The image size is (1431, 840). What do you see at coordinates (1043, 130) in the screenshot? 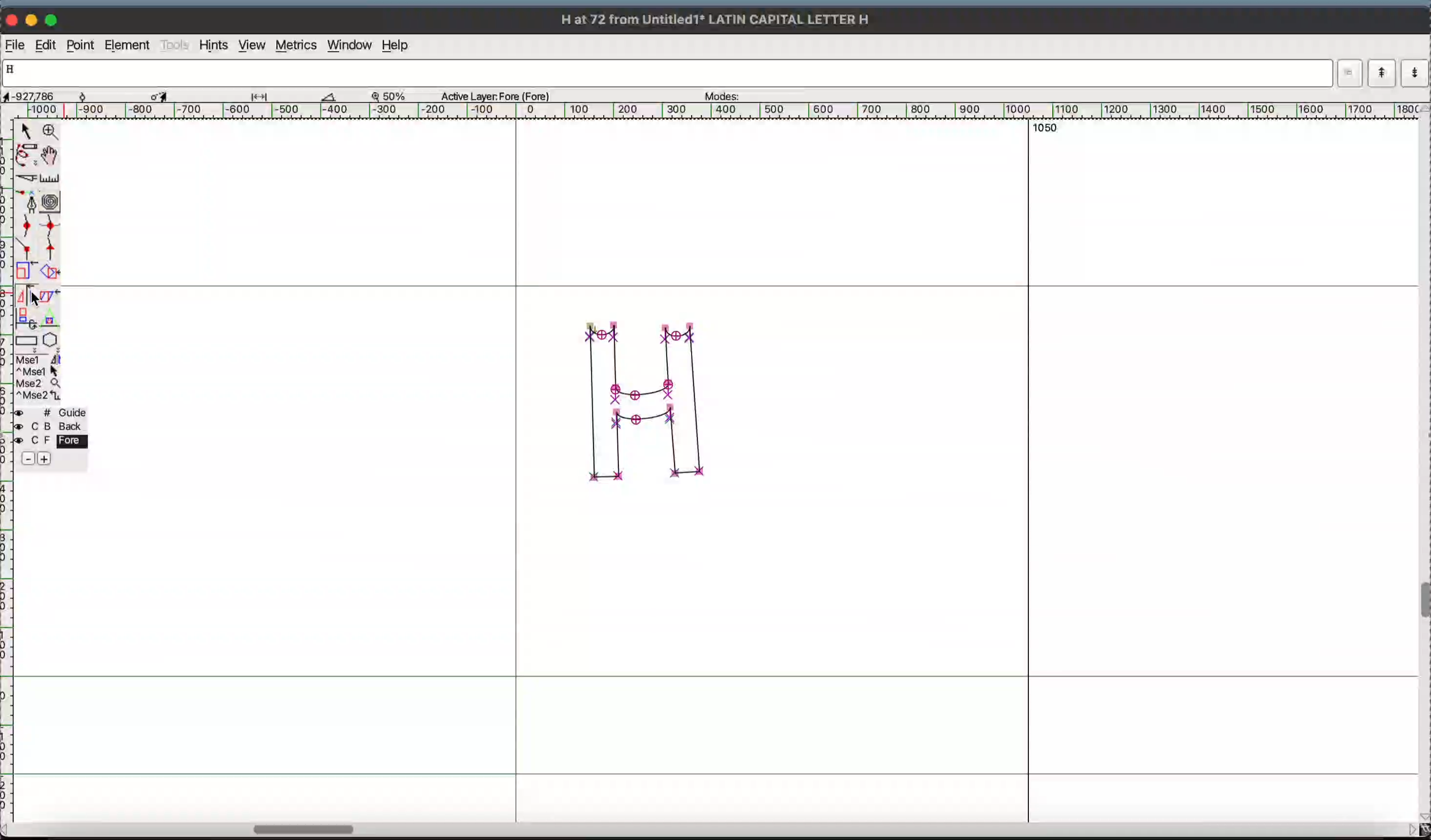
I see `1050` at bounding box center [1043, 130].